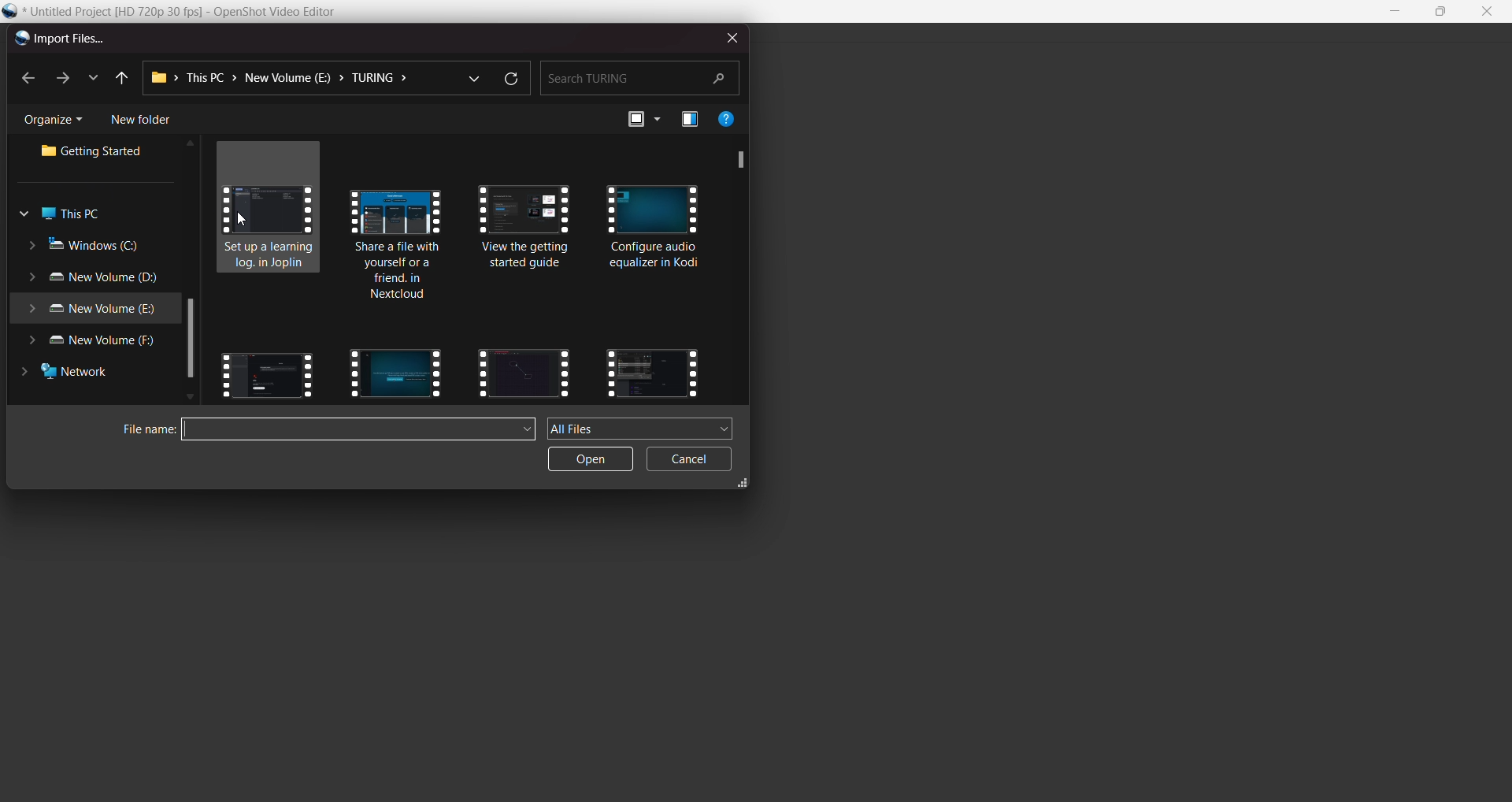  I want to click on videos, so click(267, 371).